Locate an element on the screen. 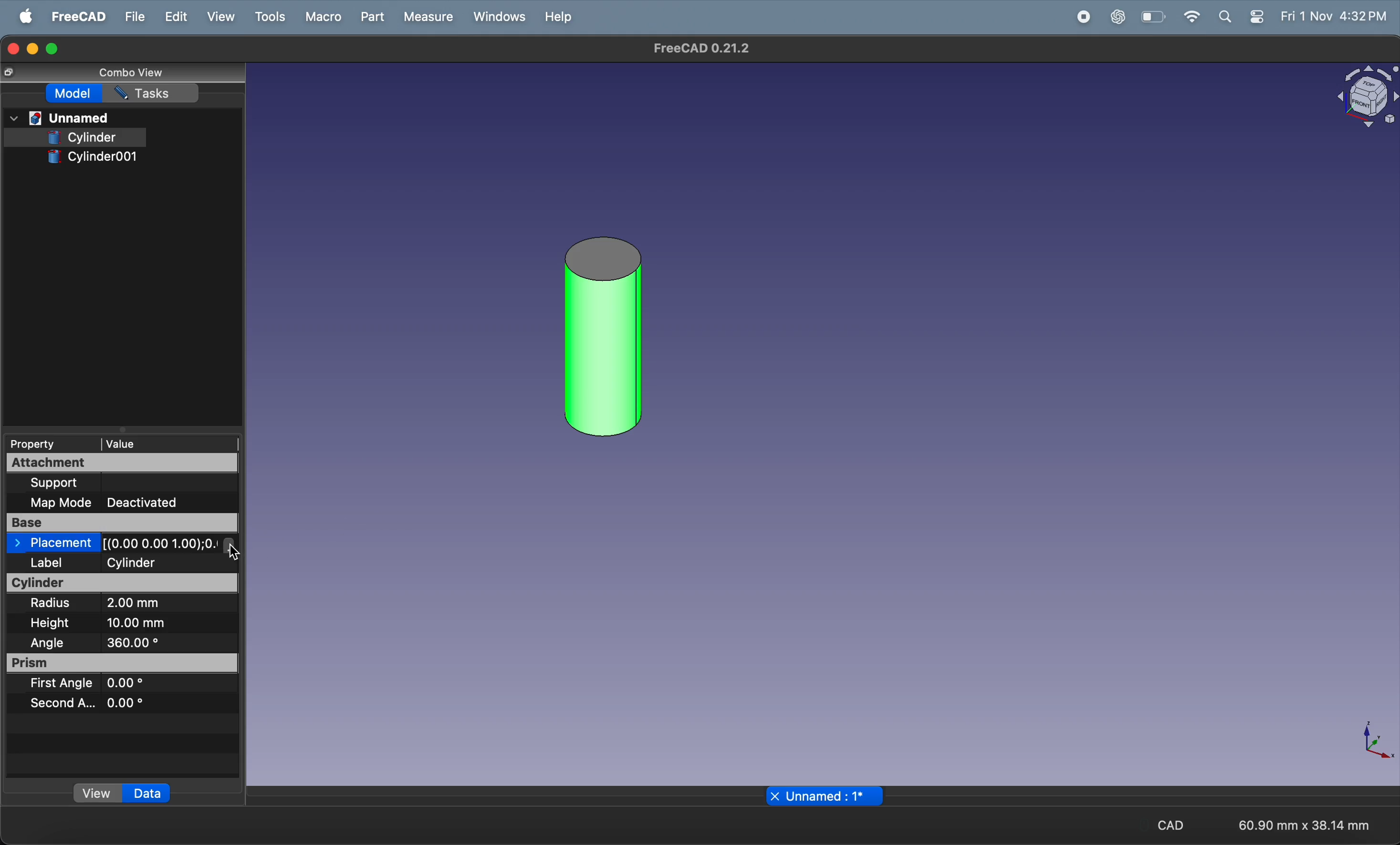 Image resolution: width=1400 pixels, height=845 pixels. closing window is located at coordinates (13, 48).